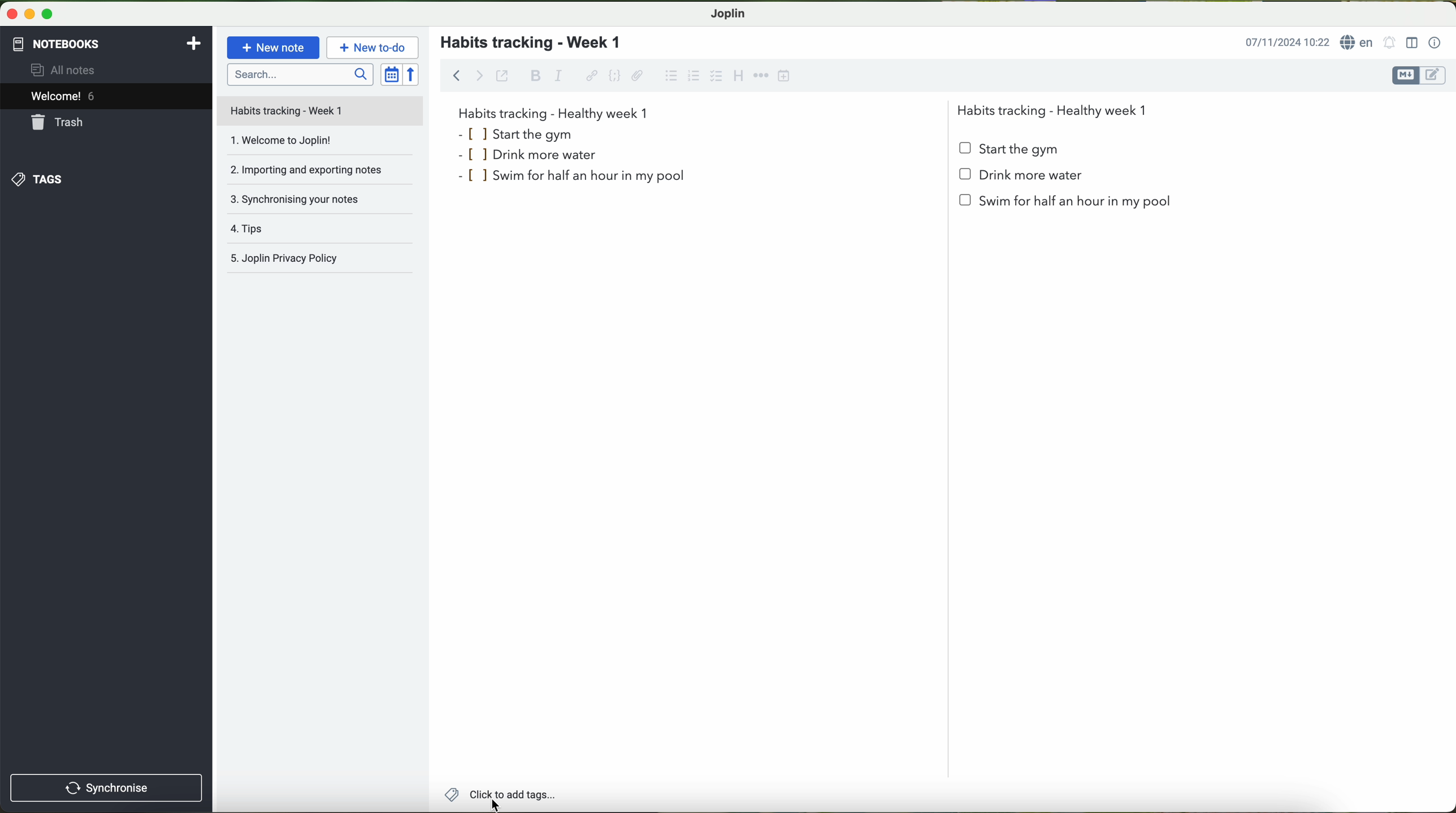  Describe the element at coordinates (536, 76) in the screenshot. I see `bold` at that location.